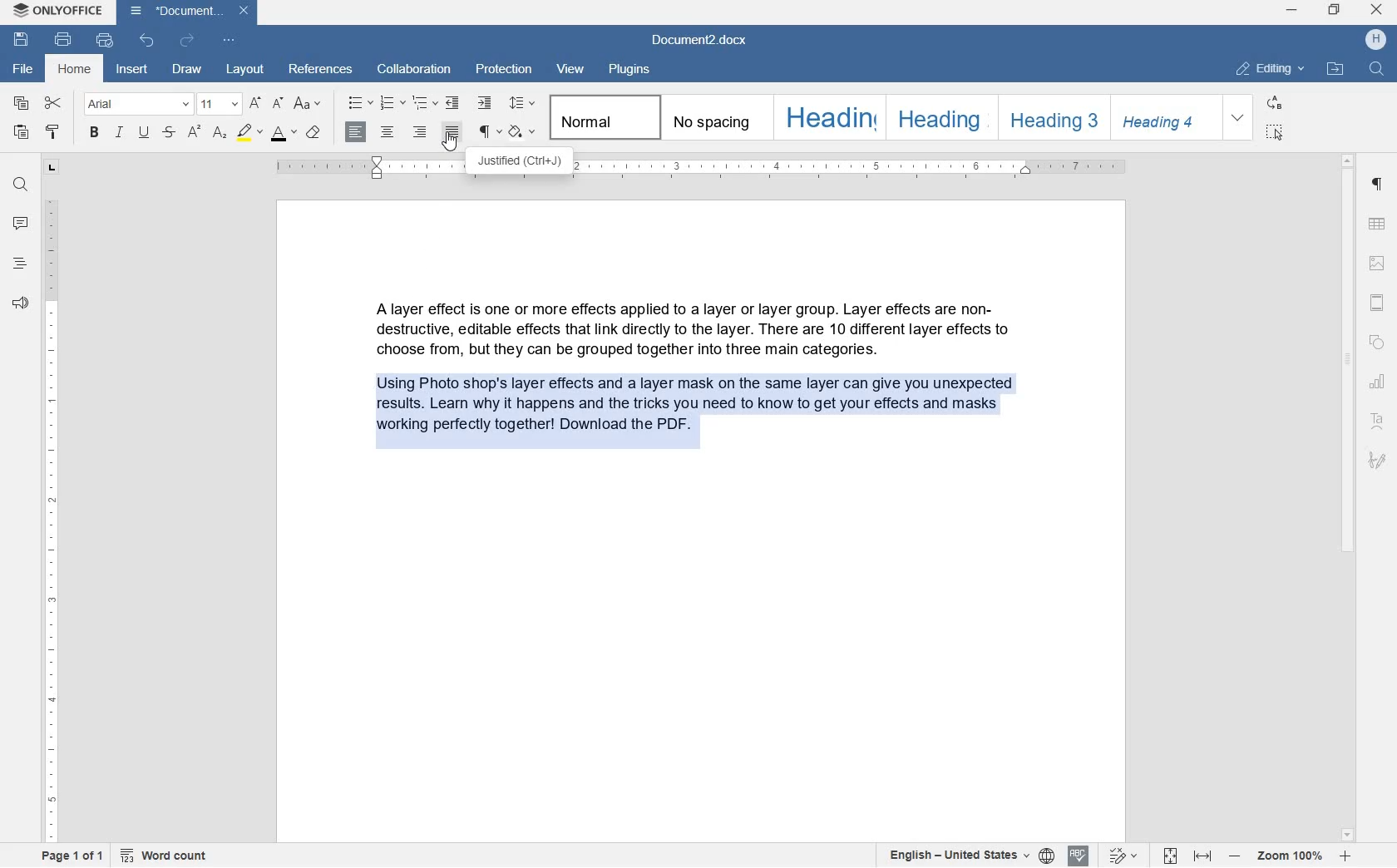 The image size is (1397, 868). Describe the element at coordinates (523, 102) in the screenshot. I see `PARAGRAPH LINE SPACING` at that location.